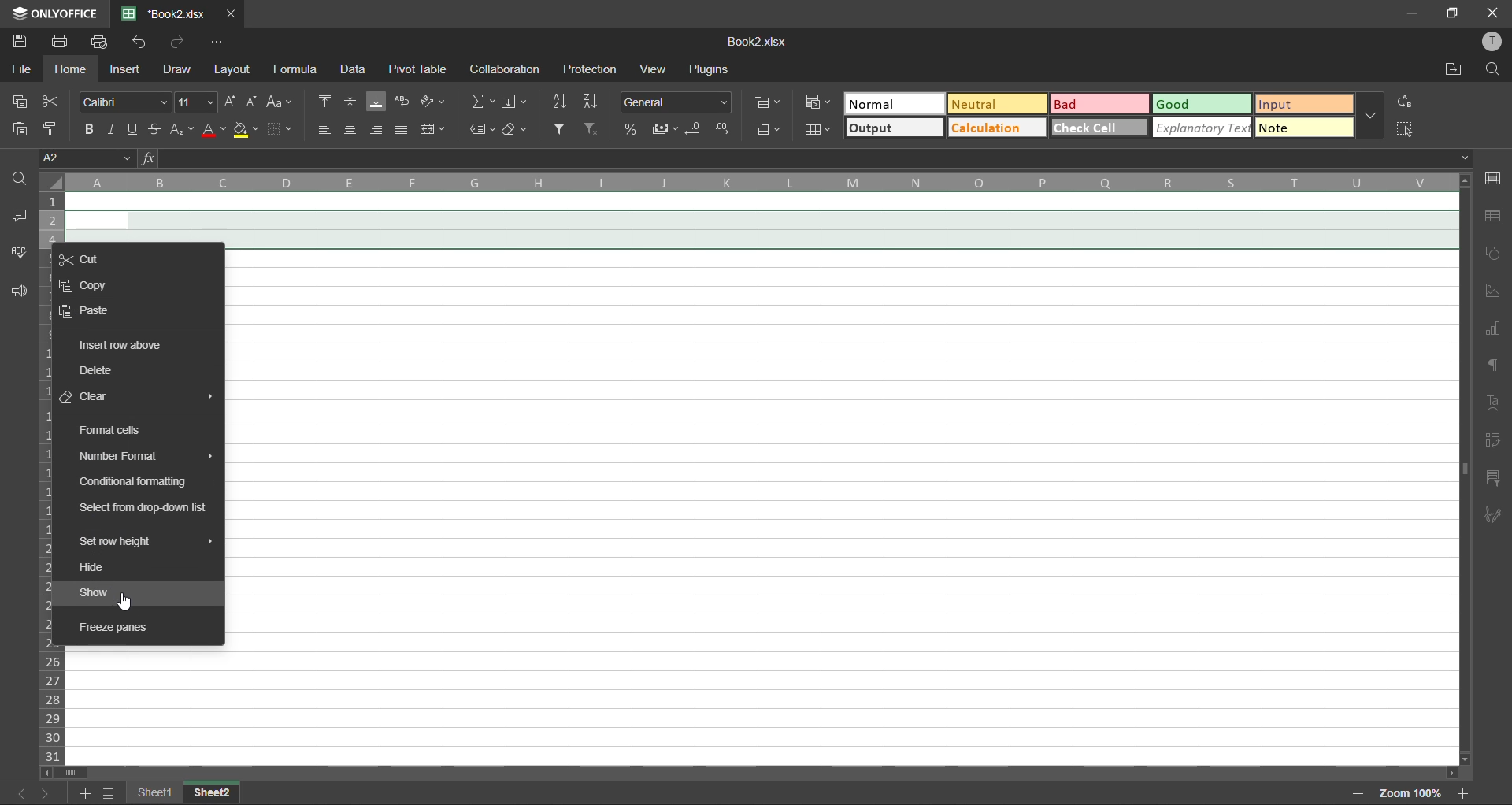 Image resolution: width=1512 pixels, height=805 pixels. What do you see at coordinates (351, 99) in the screenshot?
I see `align middle` at bounding box center [351, 99].